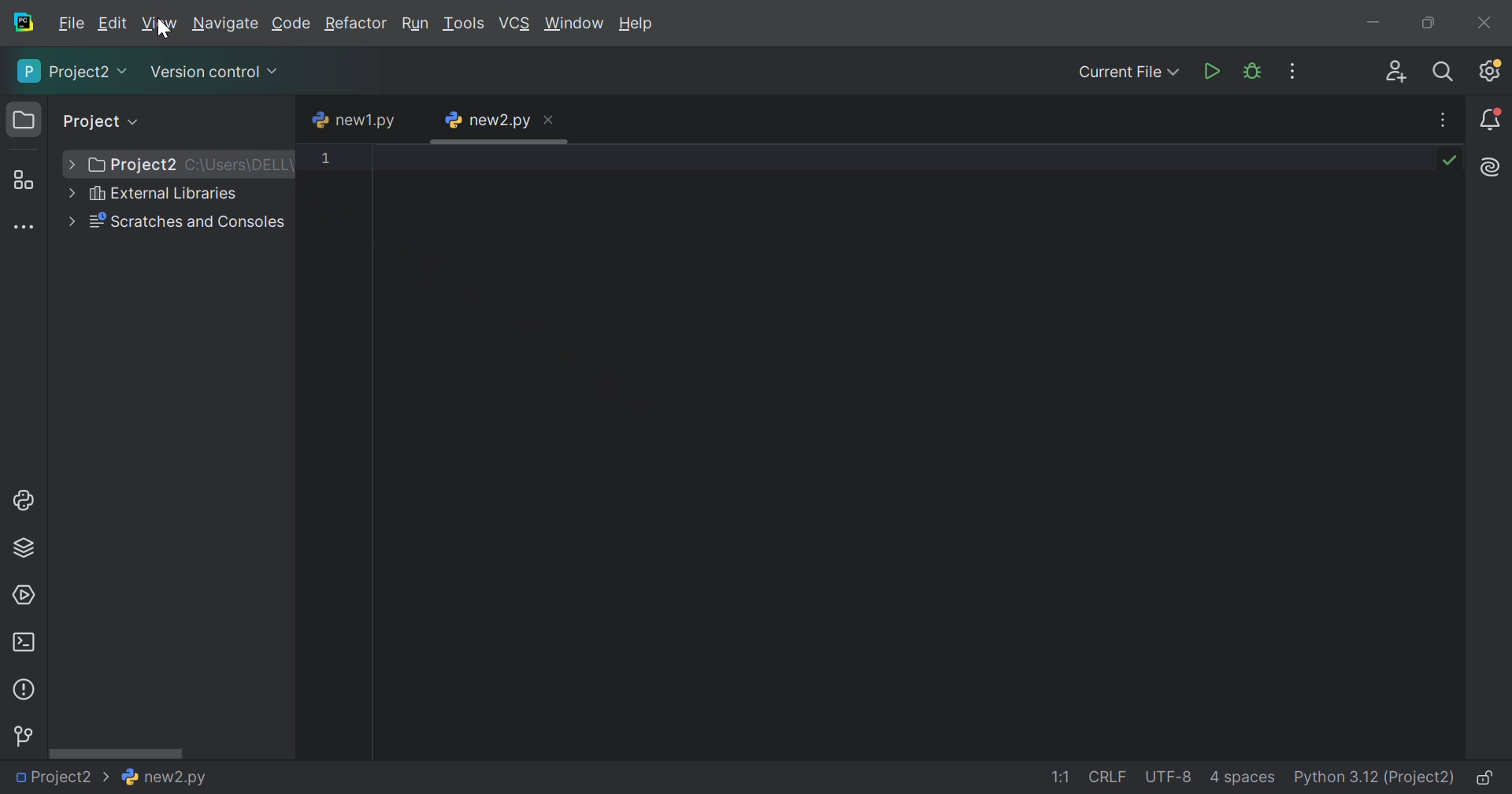  I want to click on No problems found, so click(1451, 159).